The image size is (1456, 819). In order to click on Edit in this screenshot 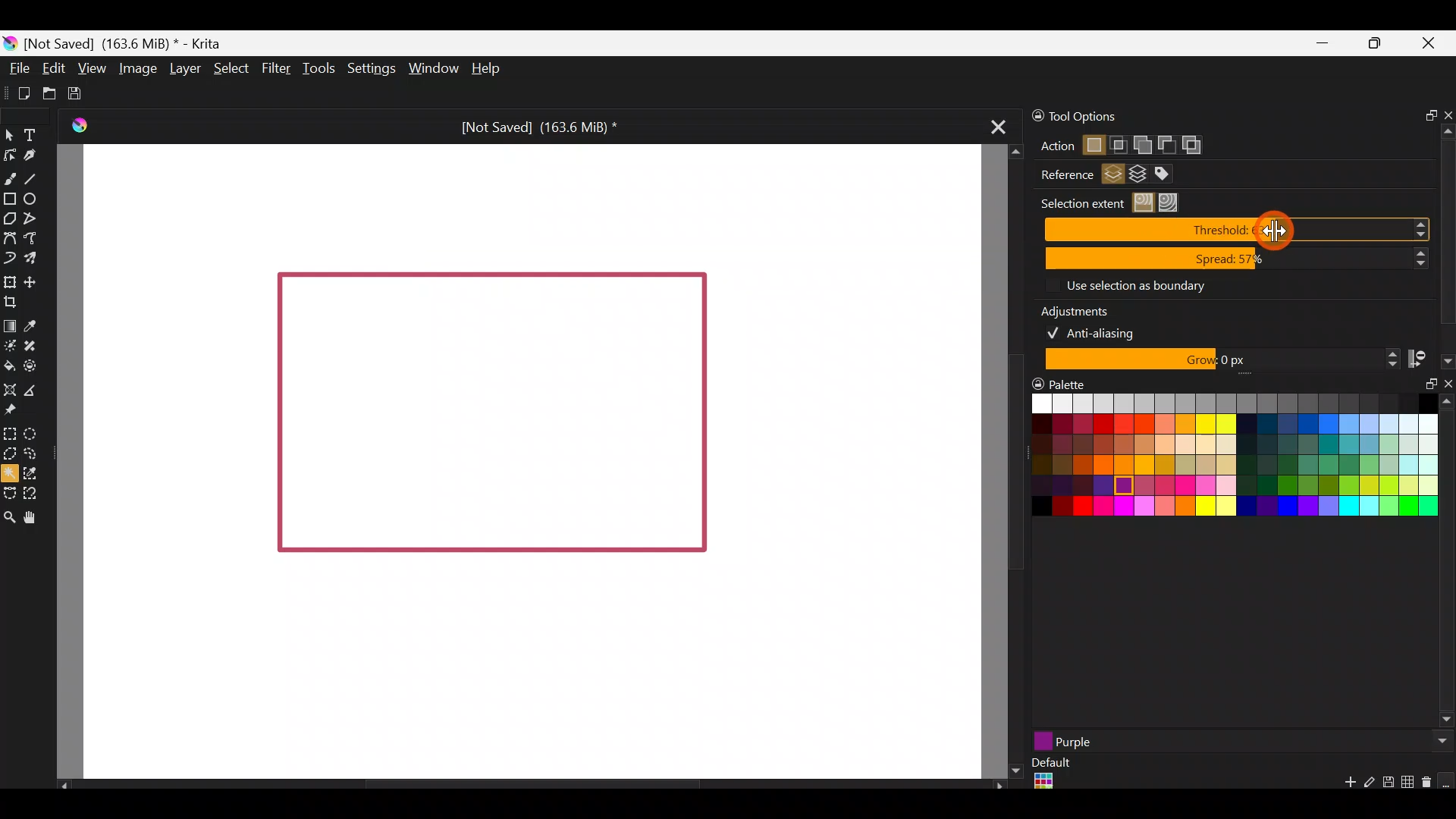, I will do `click(53, 69)`.